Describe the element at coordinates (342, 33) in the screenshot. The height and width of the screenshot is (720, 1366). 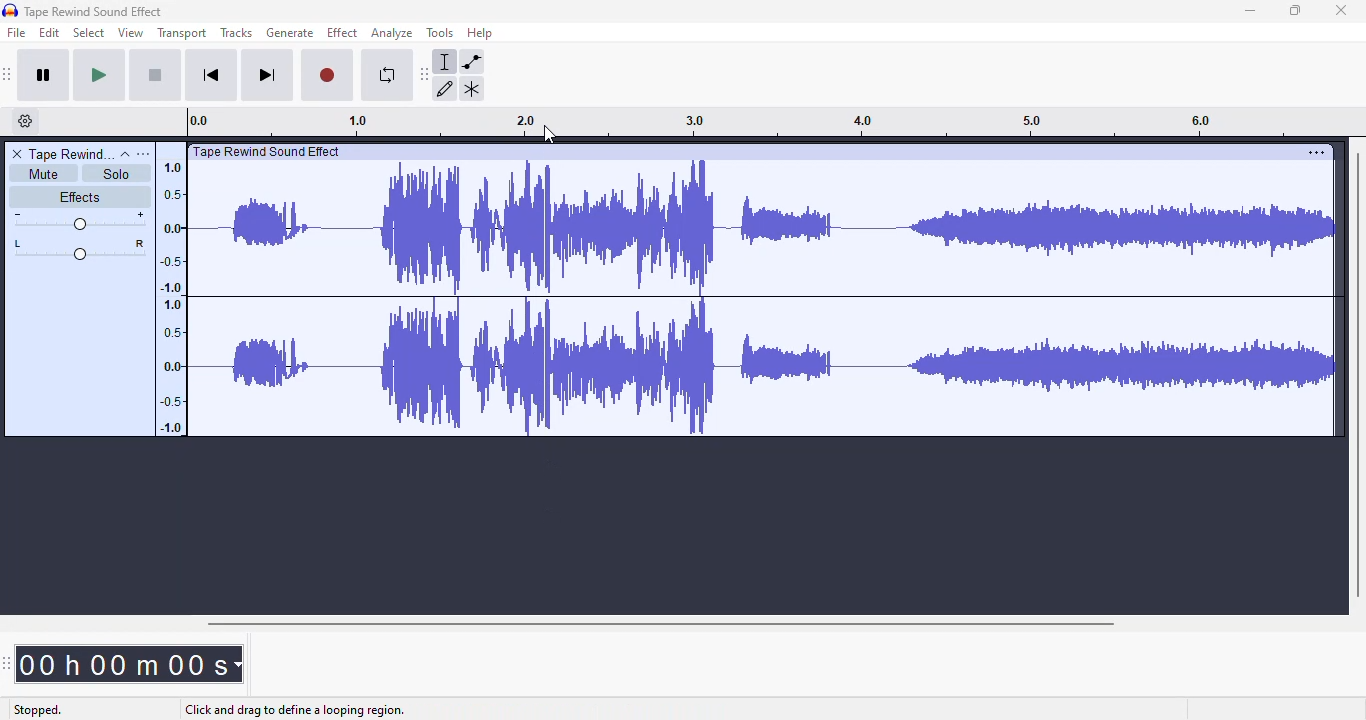
I see `effect` at that location.